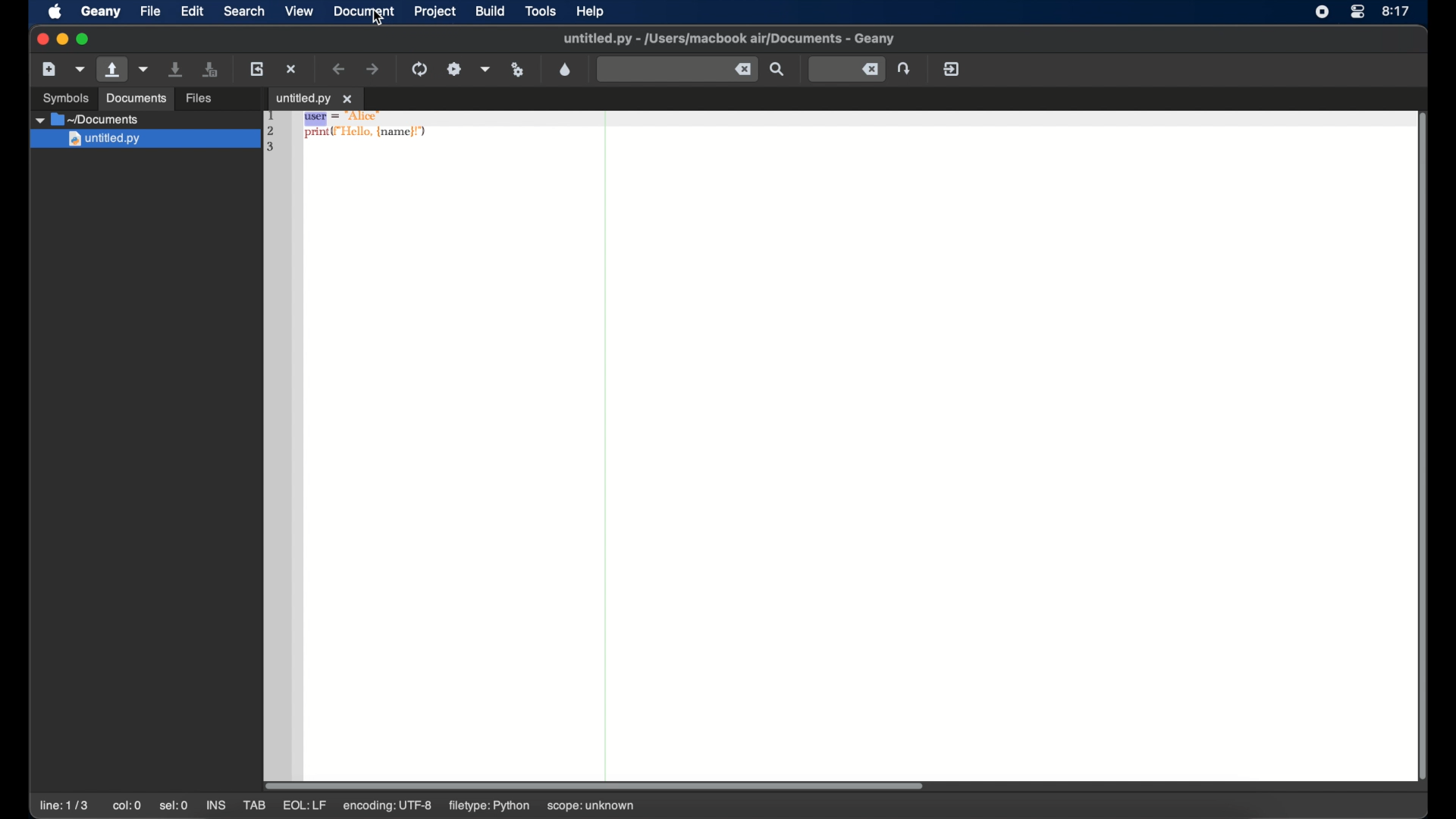 The image size is (1456, 819). I want to click on create a new file, so click(49, 69).